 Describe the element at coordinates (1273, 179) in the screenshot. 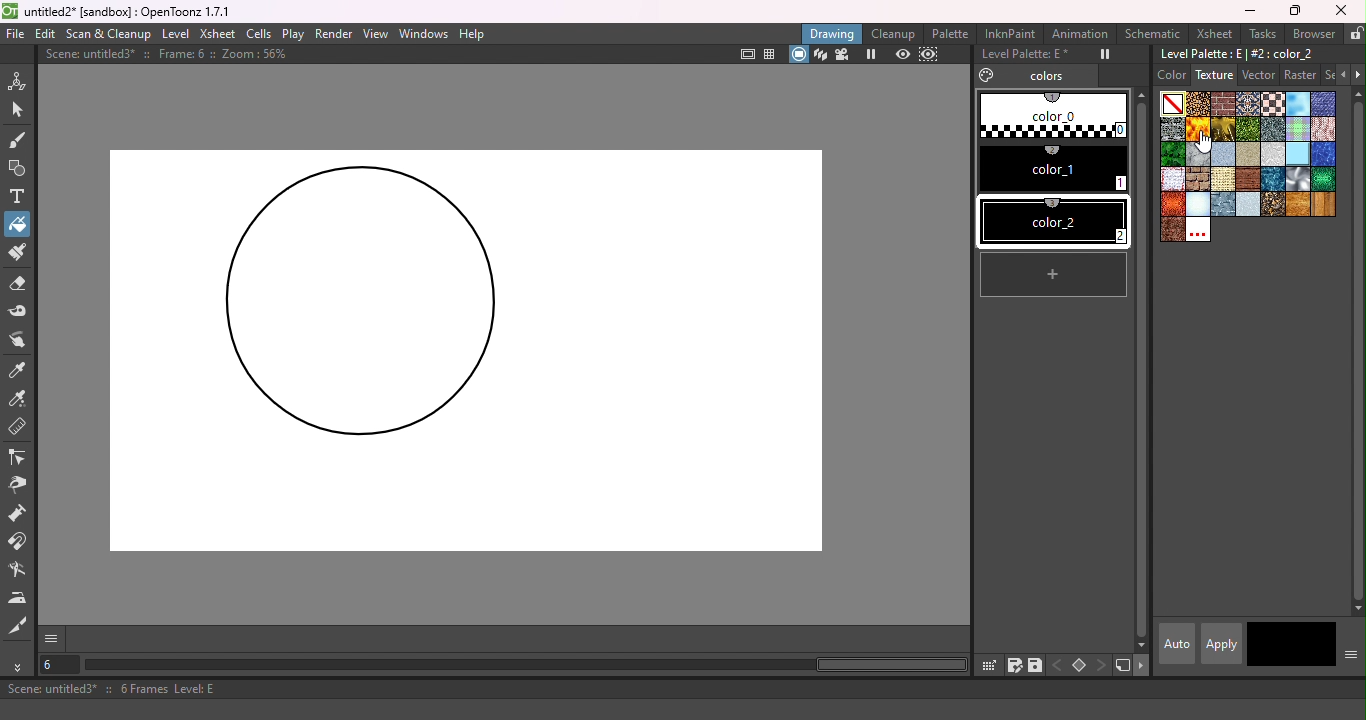

I see `sea` at that location.